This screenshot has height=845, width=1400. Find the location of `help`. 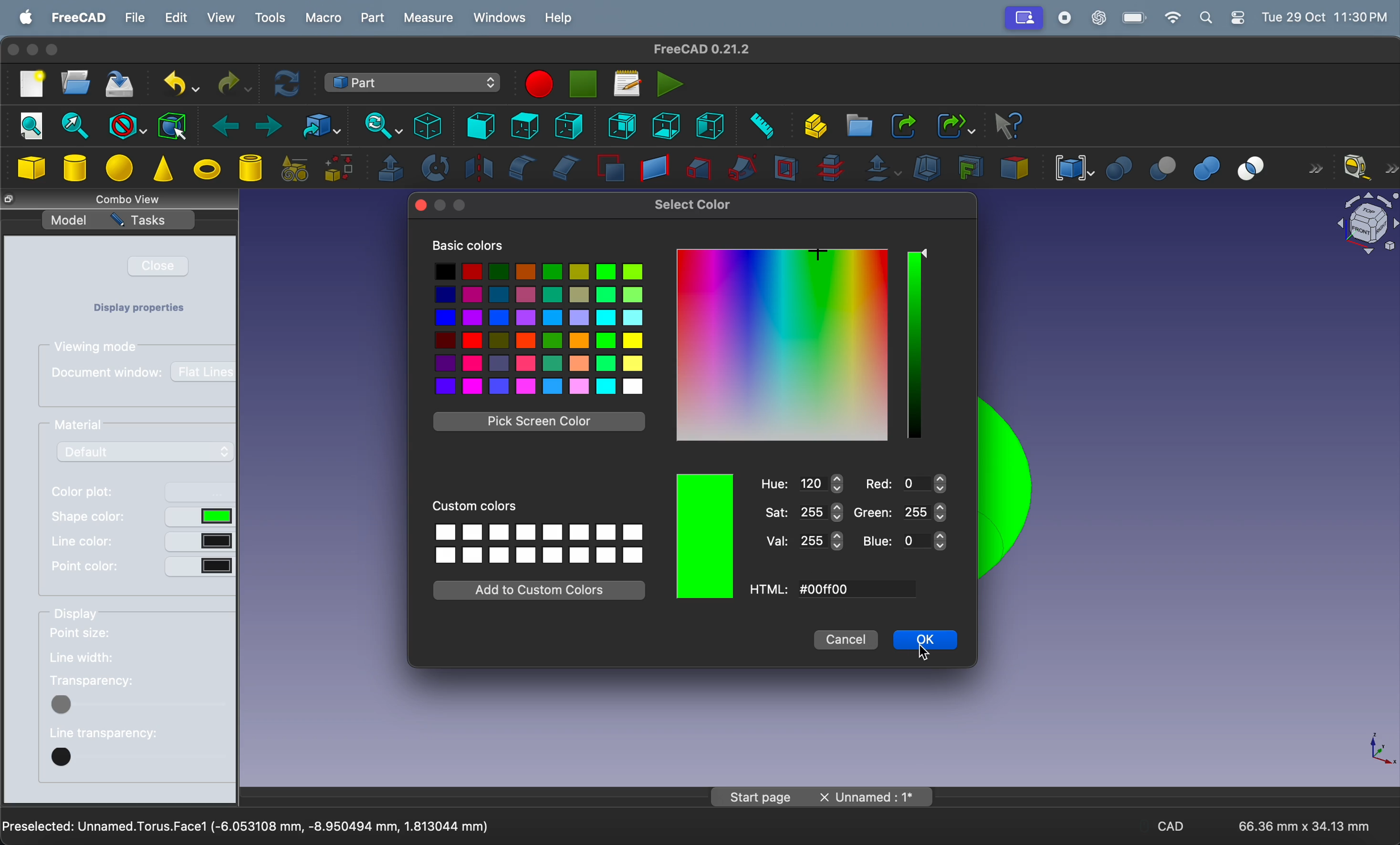

help is located at coordinates (560, 18).